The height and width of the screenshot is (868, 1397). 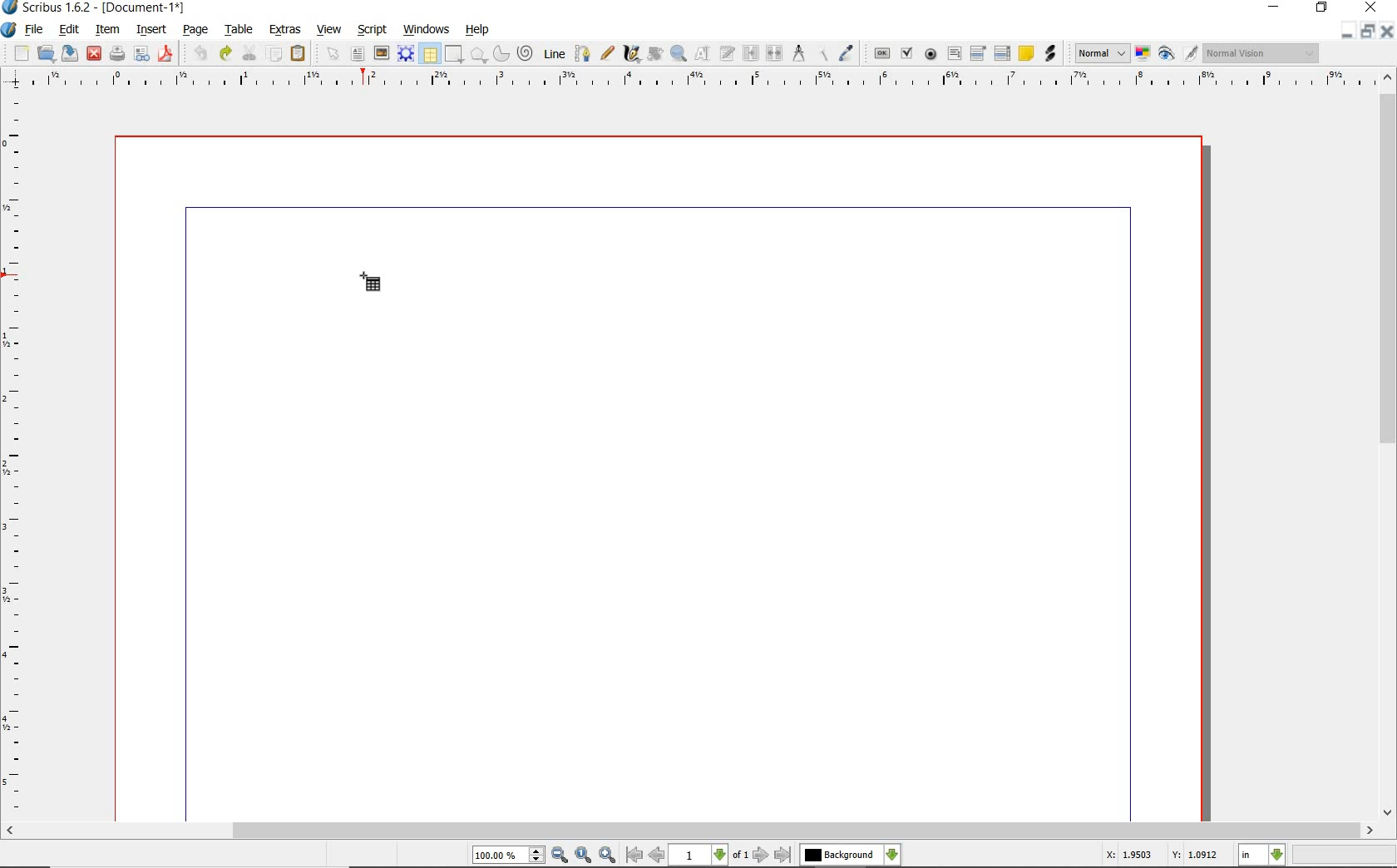 What do you see at coordinates (358, 56) in the screenshot?
I see `text frame` at bounding box center [358, 56].